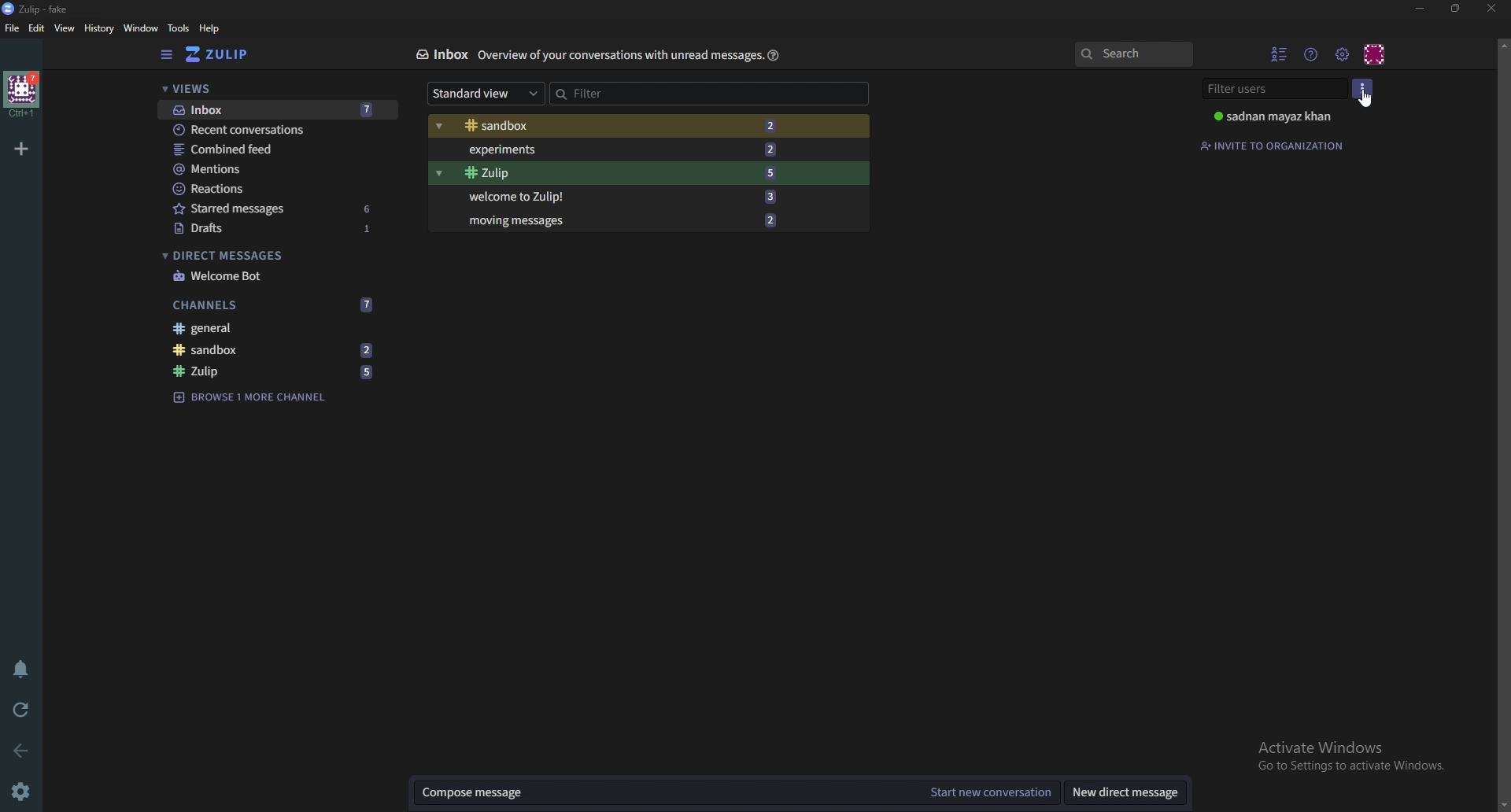 This screenshot has height=812, width=1511. I want to click on Start new conversation, so click(988, 793).